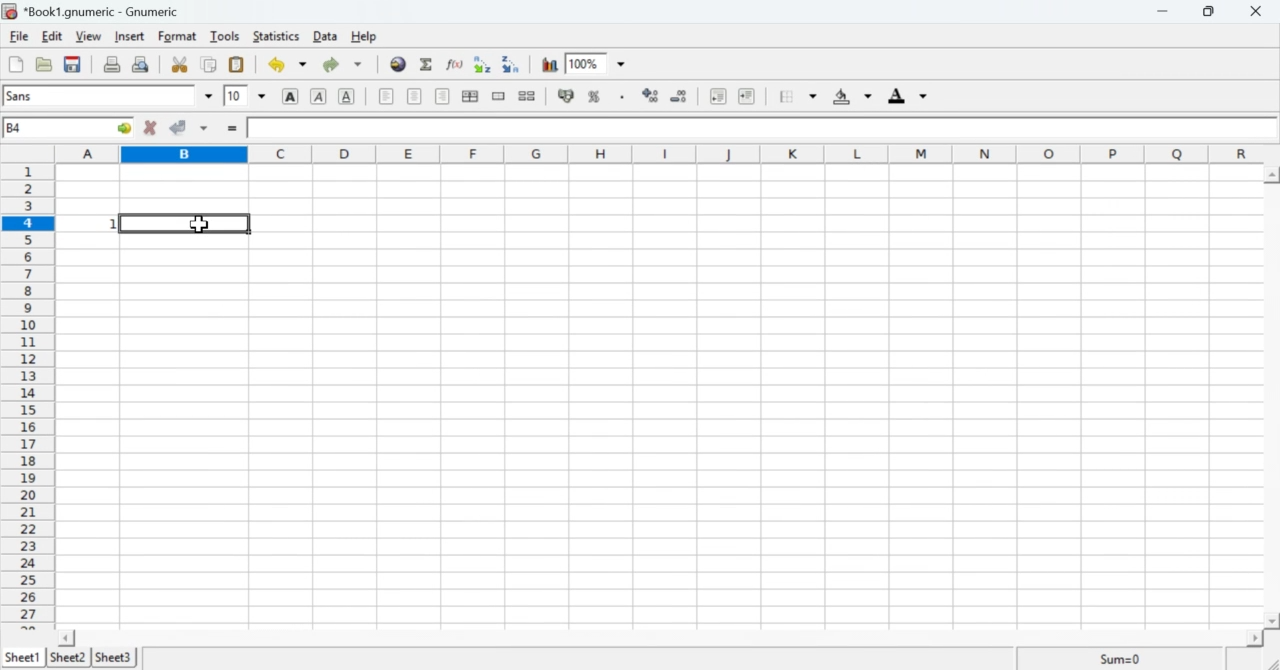 The image size is (1280, 670). What do you see at coordinates (178, 65) in the screenshot?
I see `Cut selection` at bounding box center [178, 65].